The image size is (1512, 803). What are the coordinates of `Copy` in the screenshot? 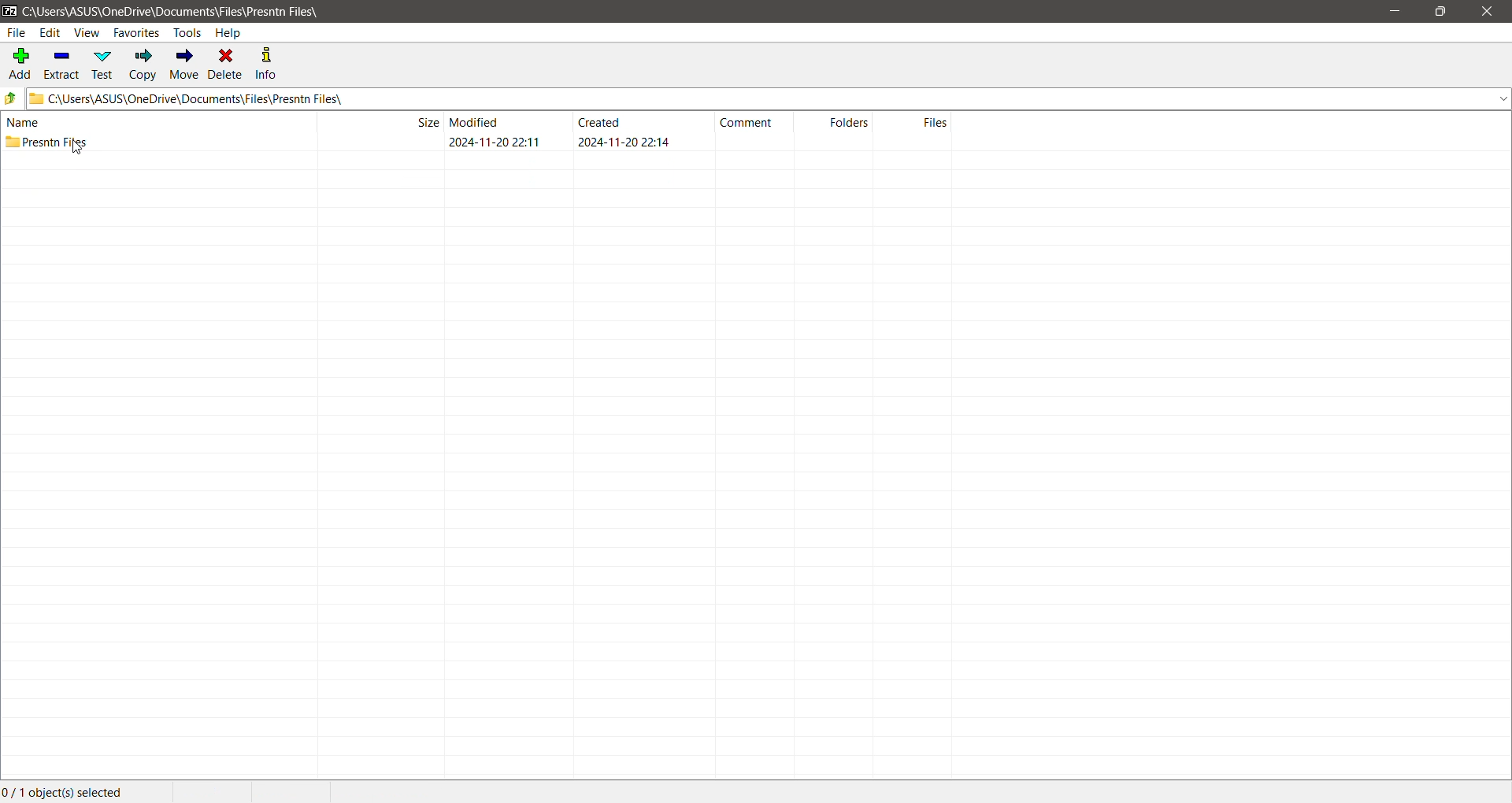 It's located at (143, 64).